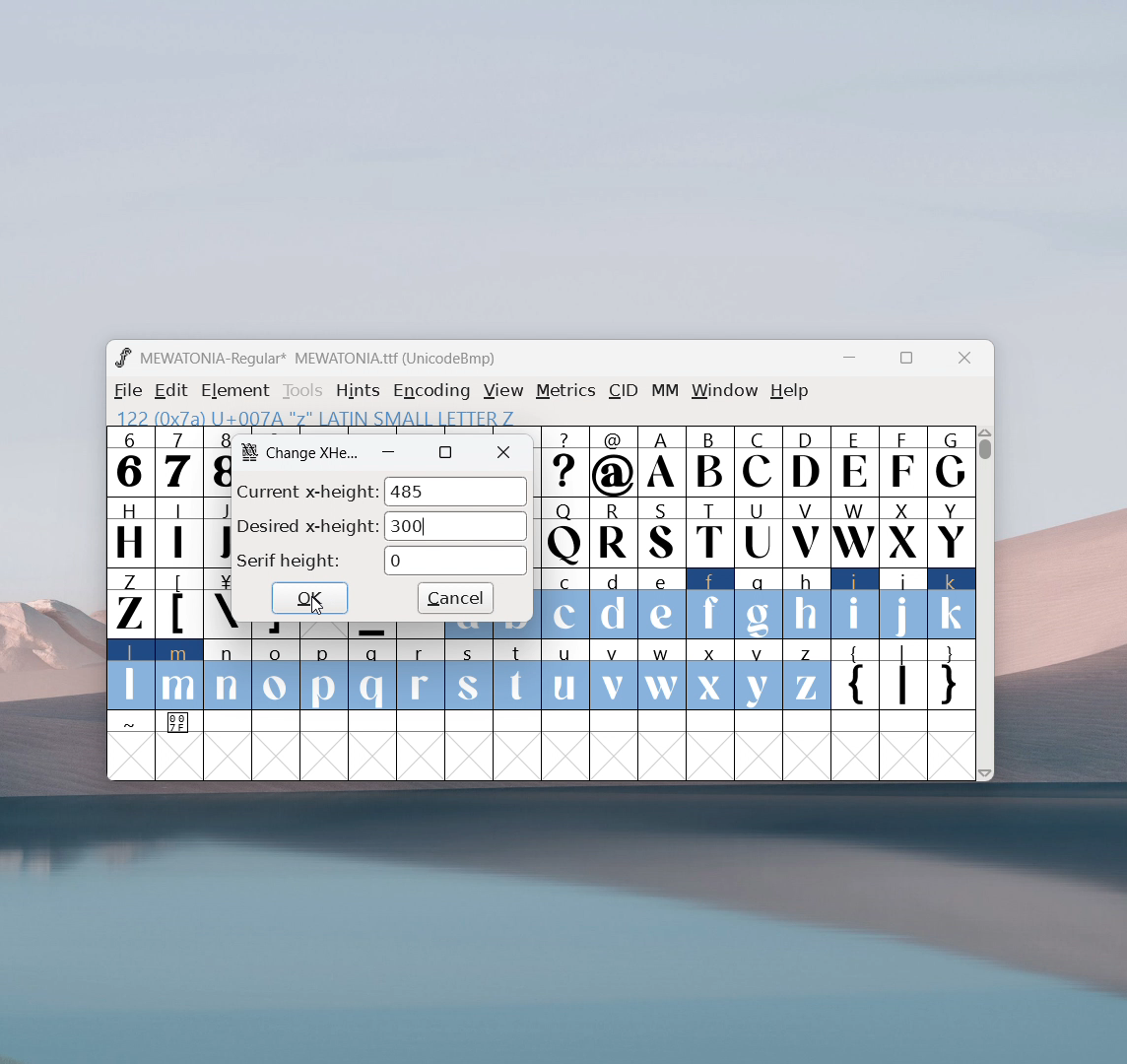 Image resolution: width=1127 pixels, height=1064 pixels. Describe the element at coordinates (456, 526) in the screenshot. I see `300` at that location.